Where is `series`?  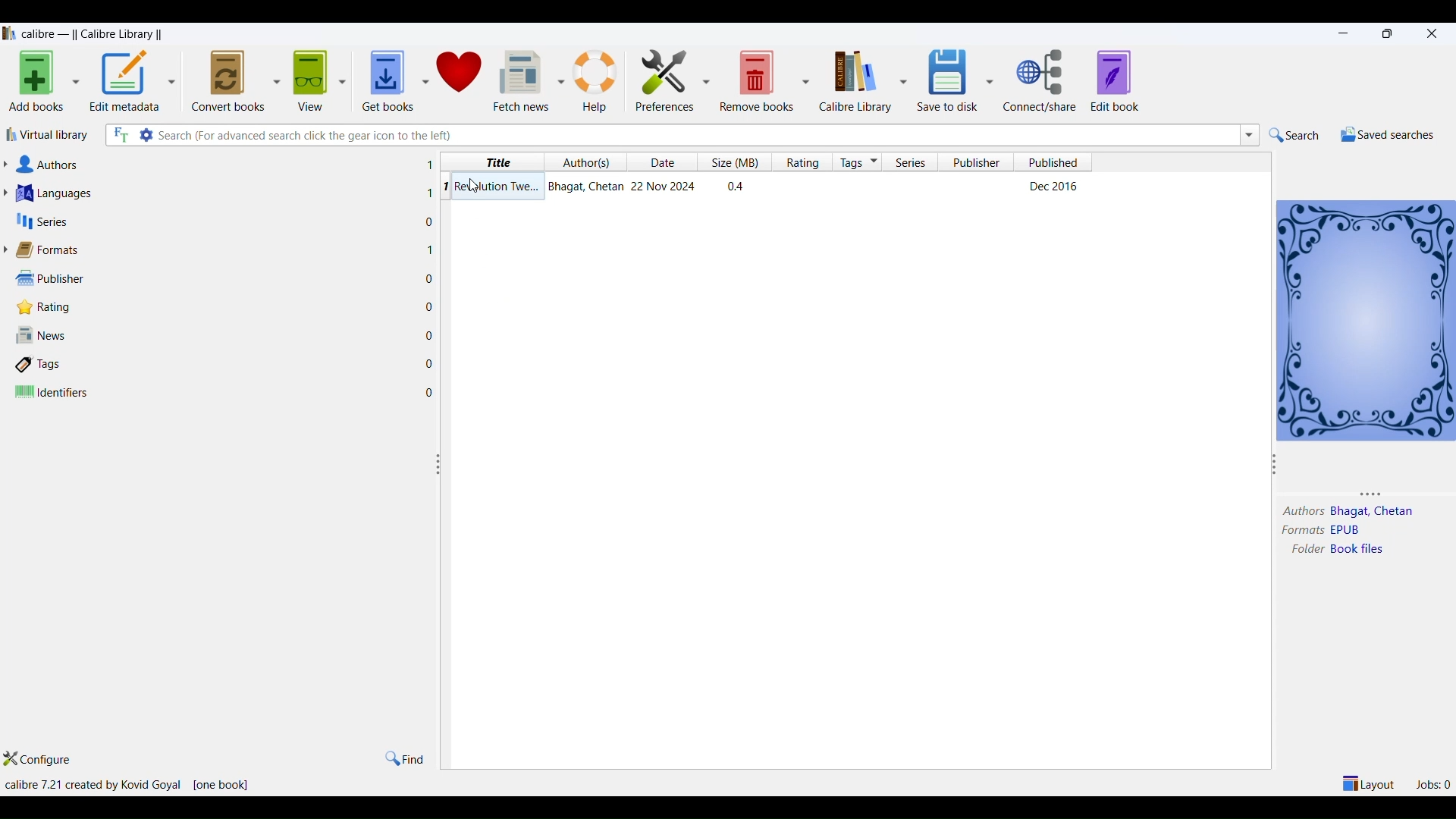
series is located at coordinates (914, 162).